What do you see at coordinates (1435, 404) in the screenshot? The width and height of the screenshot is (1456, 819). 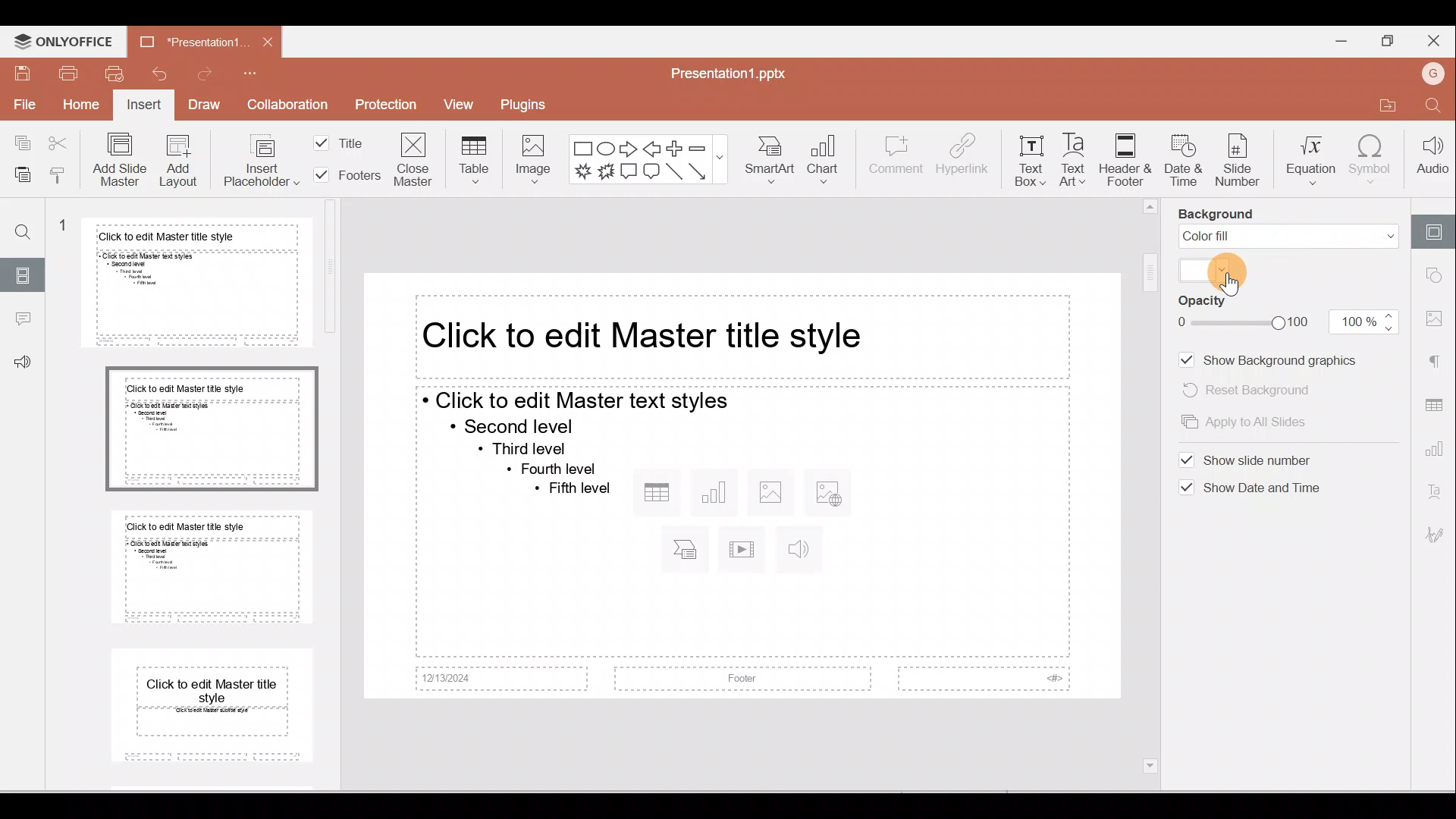 I see `Table settings` at bounding box center [1435, 404].